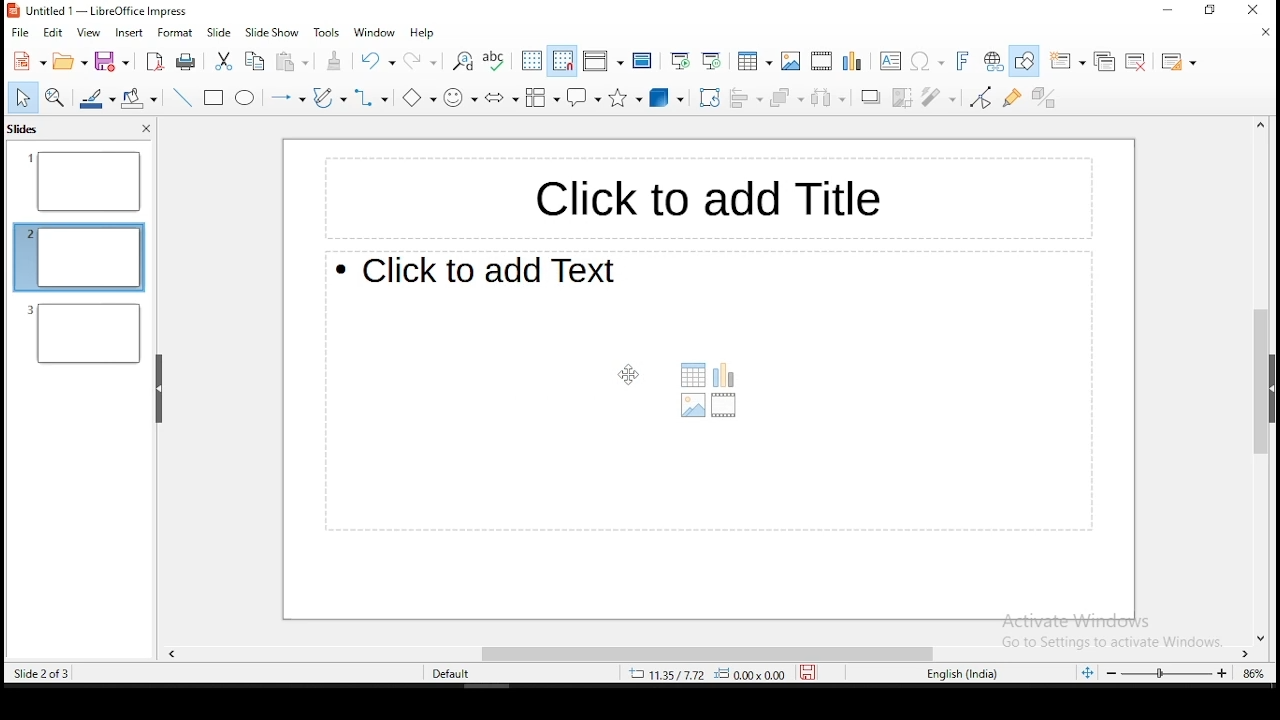 Image resolution: width=1280 pixels, height=720 pixels. Describe the element at coordinates (72, 61) in the screenshot. I see `open` at that location.